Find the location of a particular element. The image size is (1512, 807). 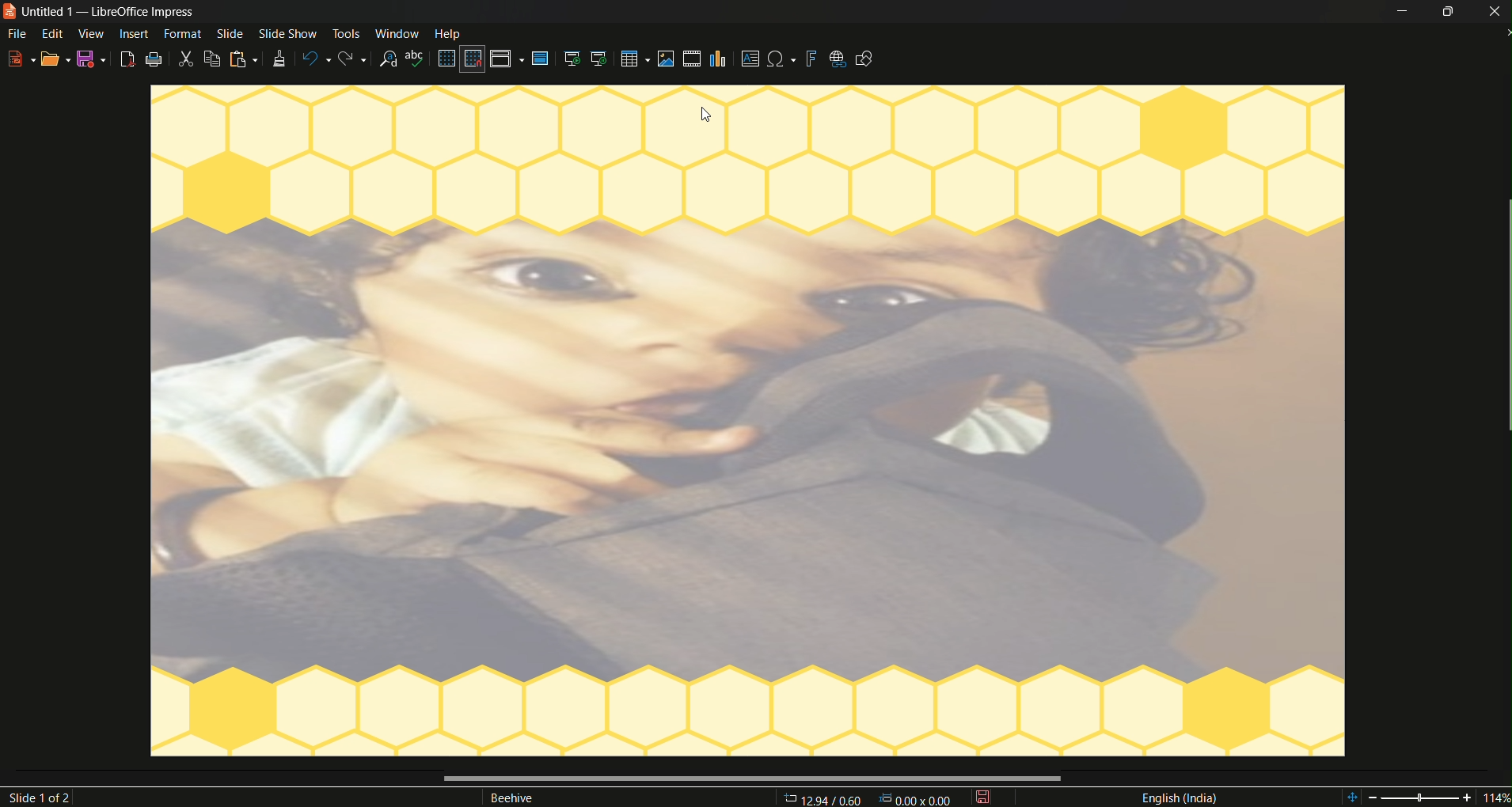

display grid is located at coordinates (446, 59).